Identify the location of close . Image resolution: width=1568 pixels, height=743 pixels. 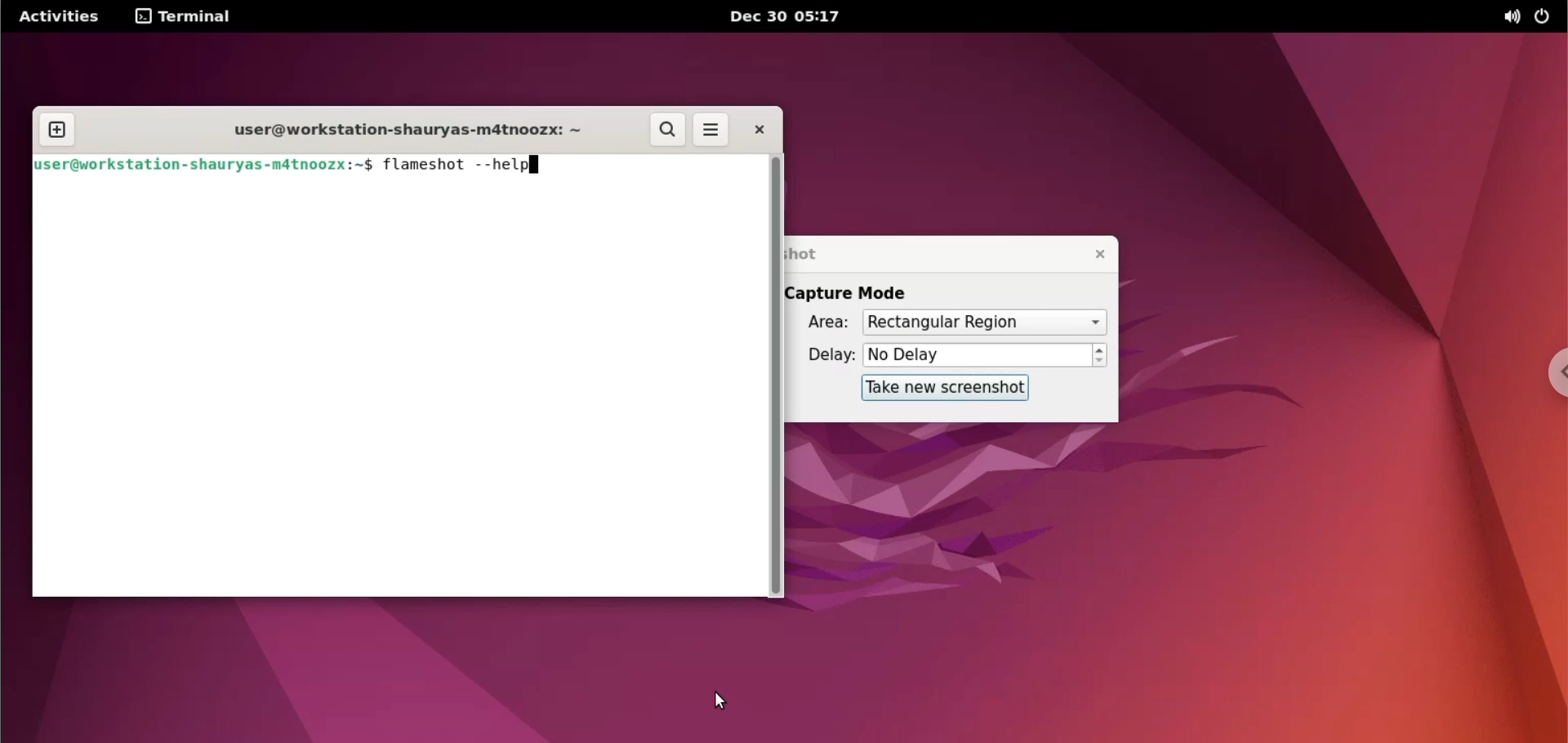
(1095, 254).